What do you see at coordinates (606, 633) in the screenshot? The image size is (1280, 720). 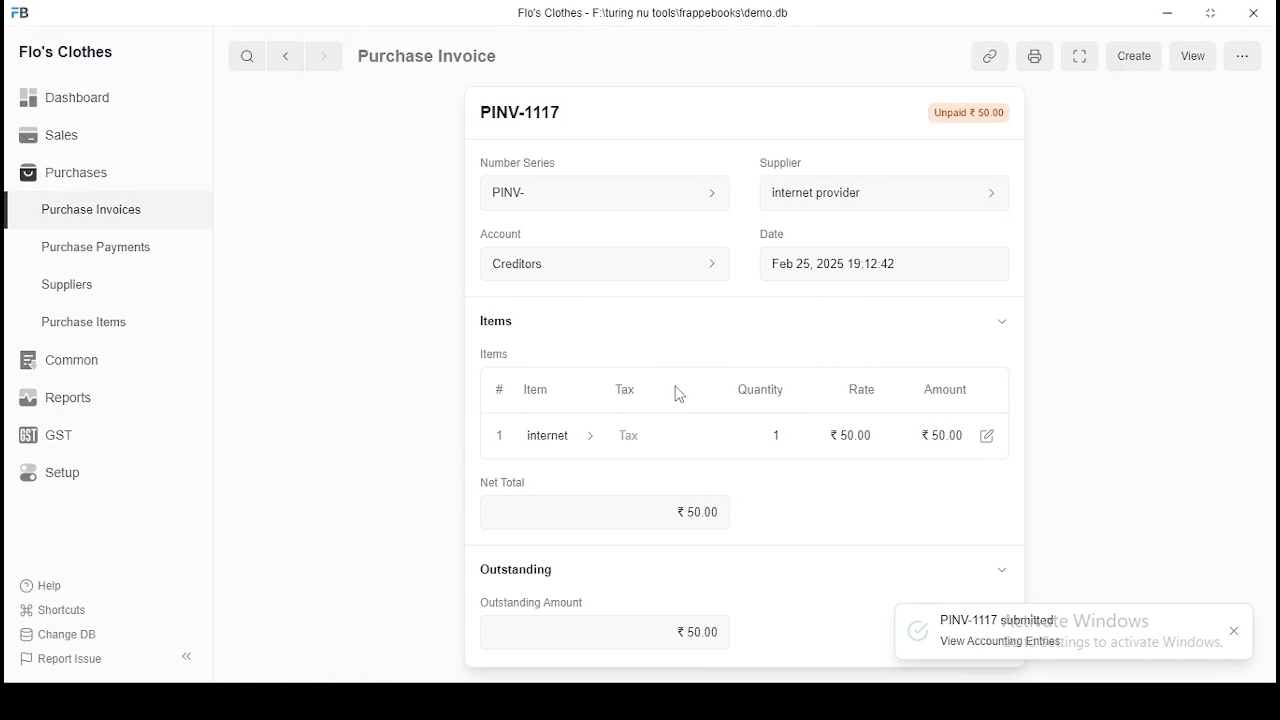 I see `50.00` at bounding box center [606, 633].